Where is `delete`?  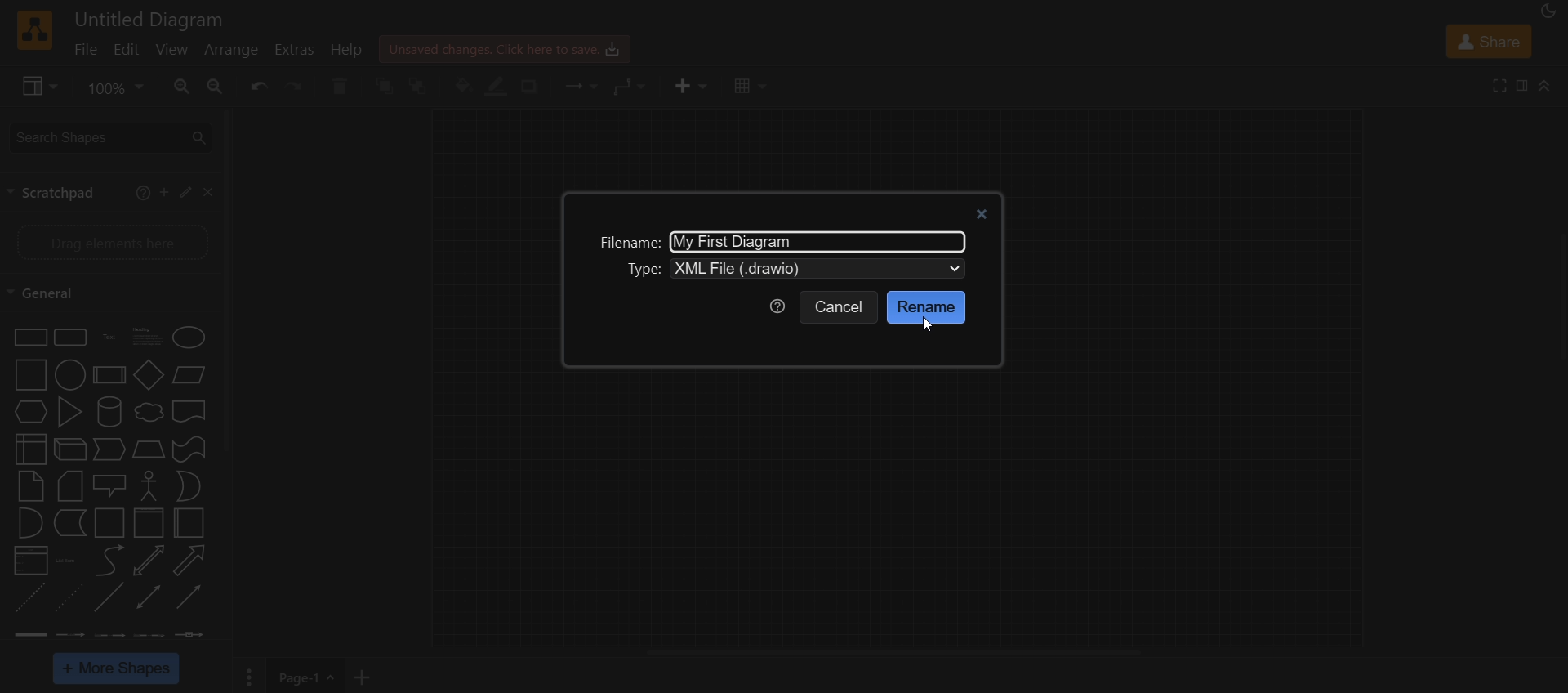 delete is located at coordinates (345, 87).